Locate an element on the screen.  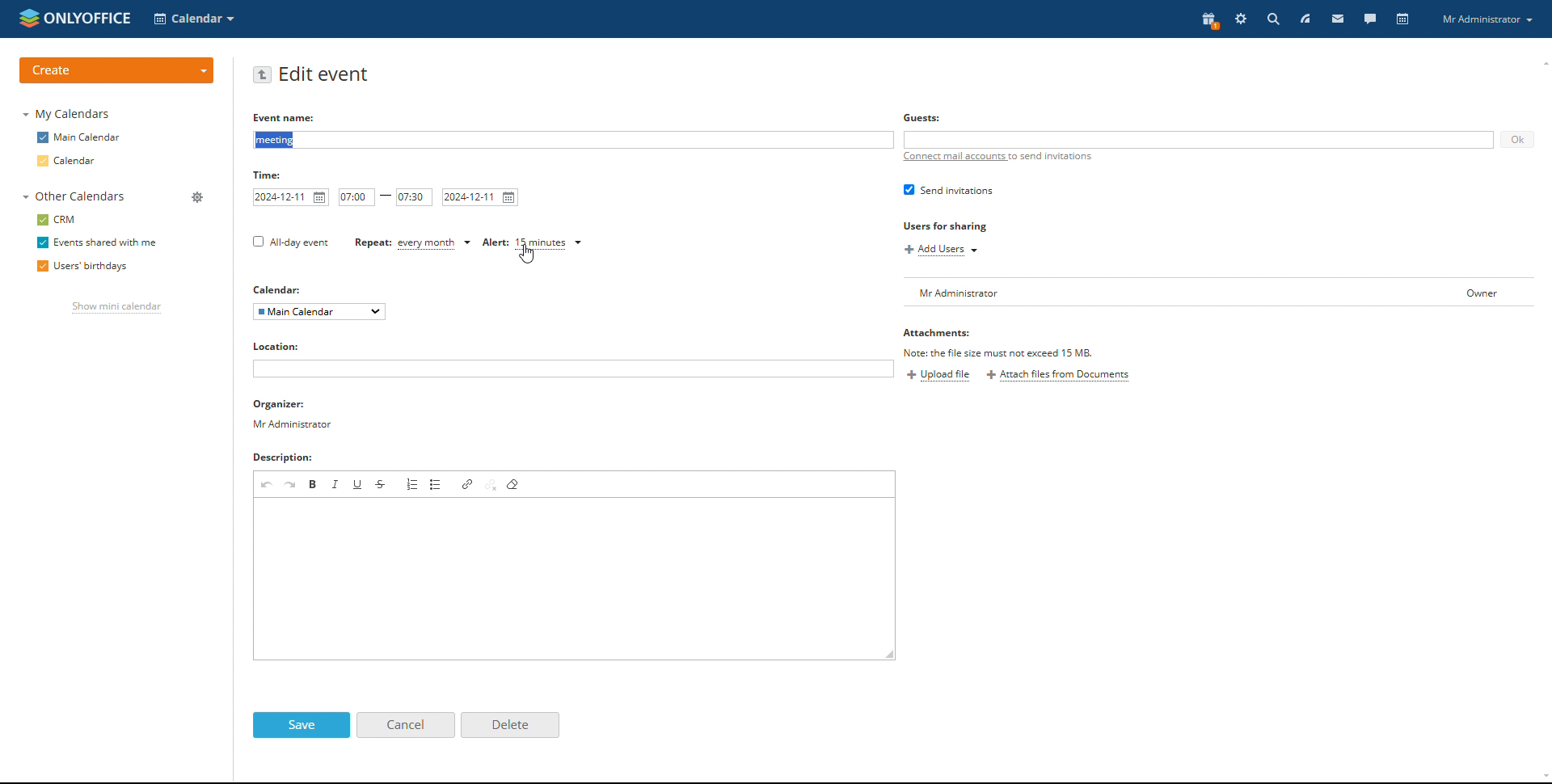
calendar is located at coordinates (1401, 19).